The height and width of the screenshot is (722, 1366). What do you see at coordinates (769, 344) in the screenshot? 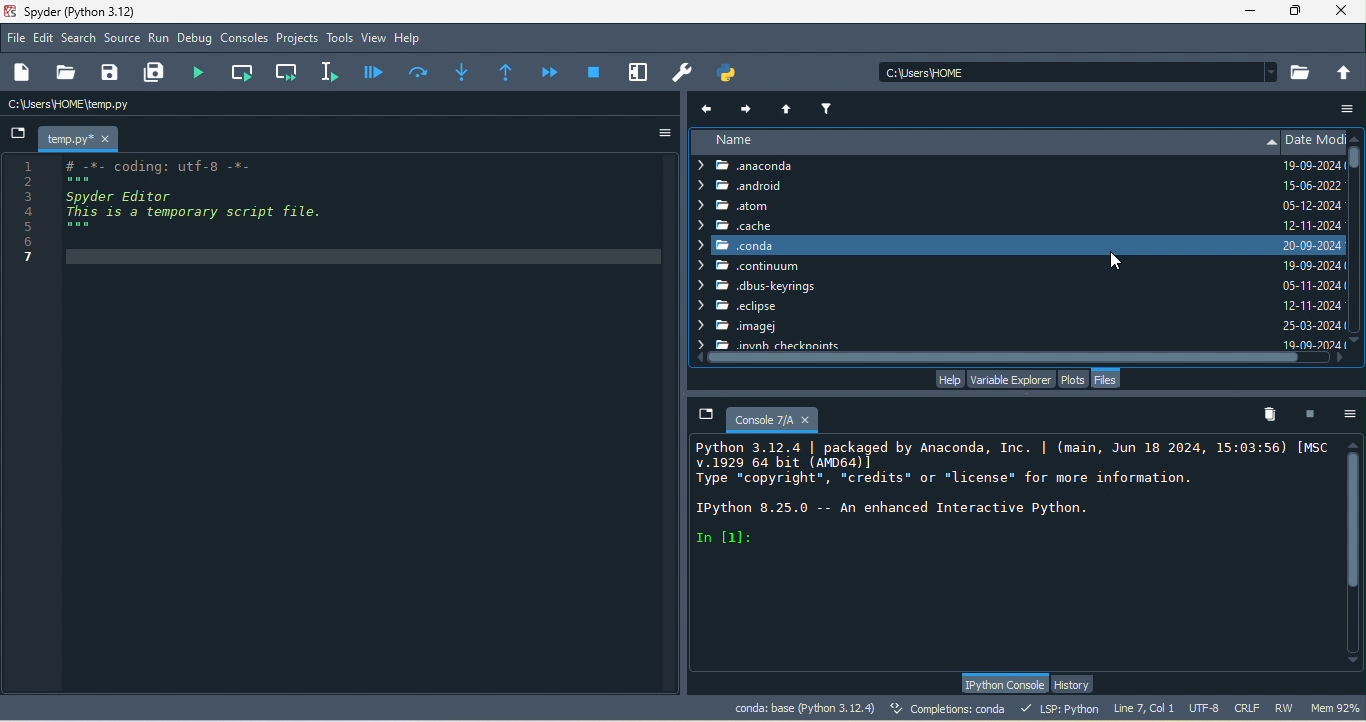
I see `checkpoints` at bounding box center [769, 344].